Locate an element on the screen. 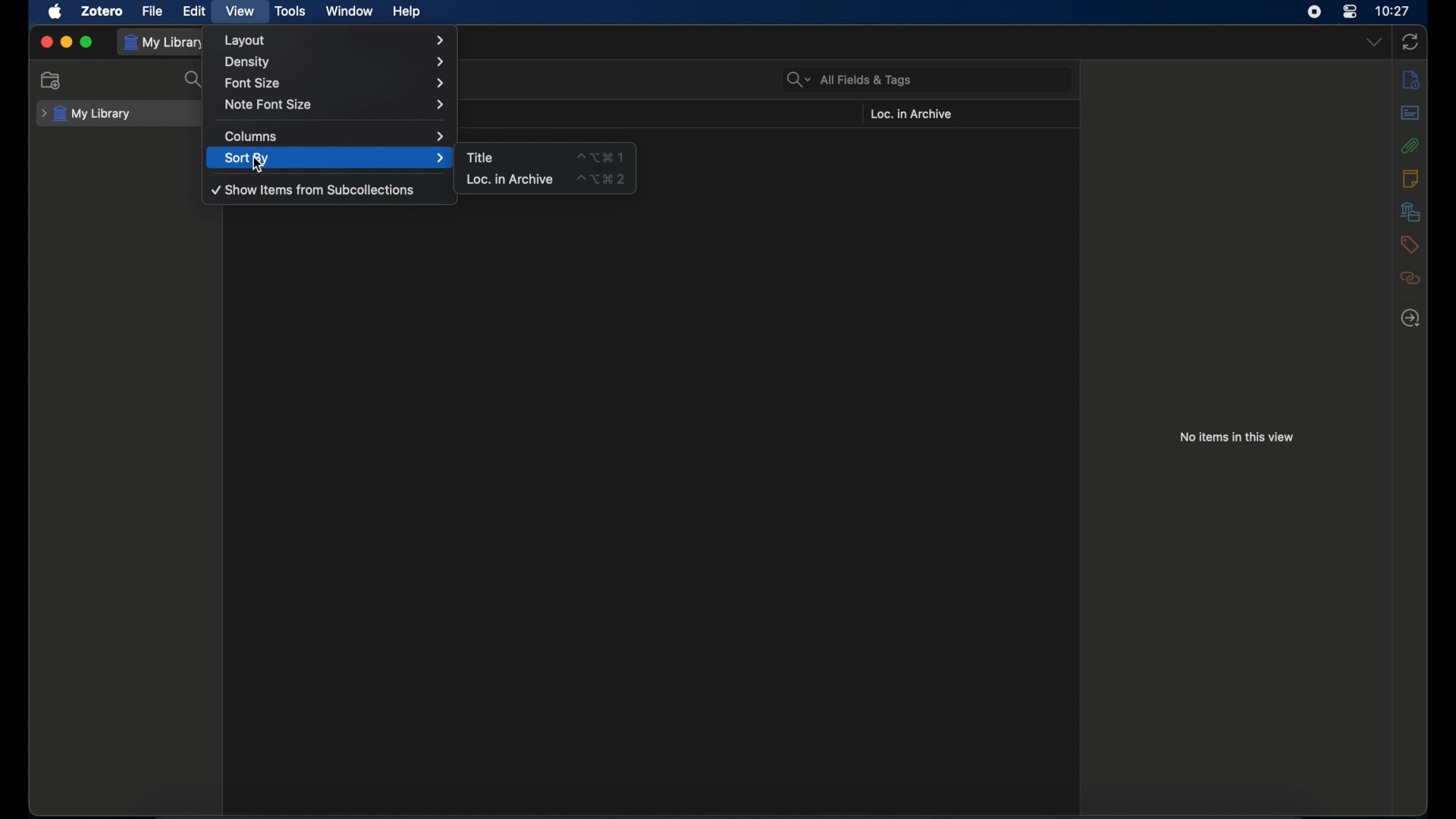 The image size is (1456, 819). columns is located at coordinates (333, 137).